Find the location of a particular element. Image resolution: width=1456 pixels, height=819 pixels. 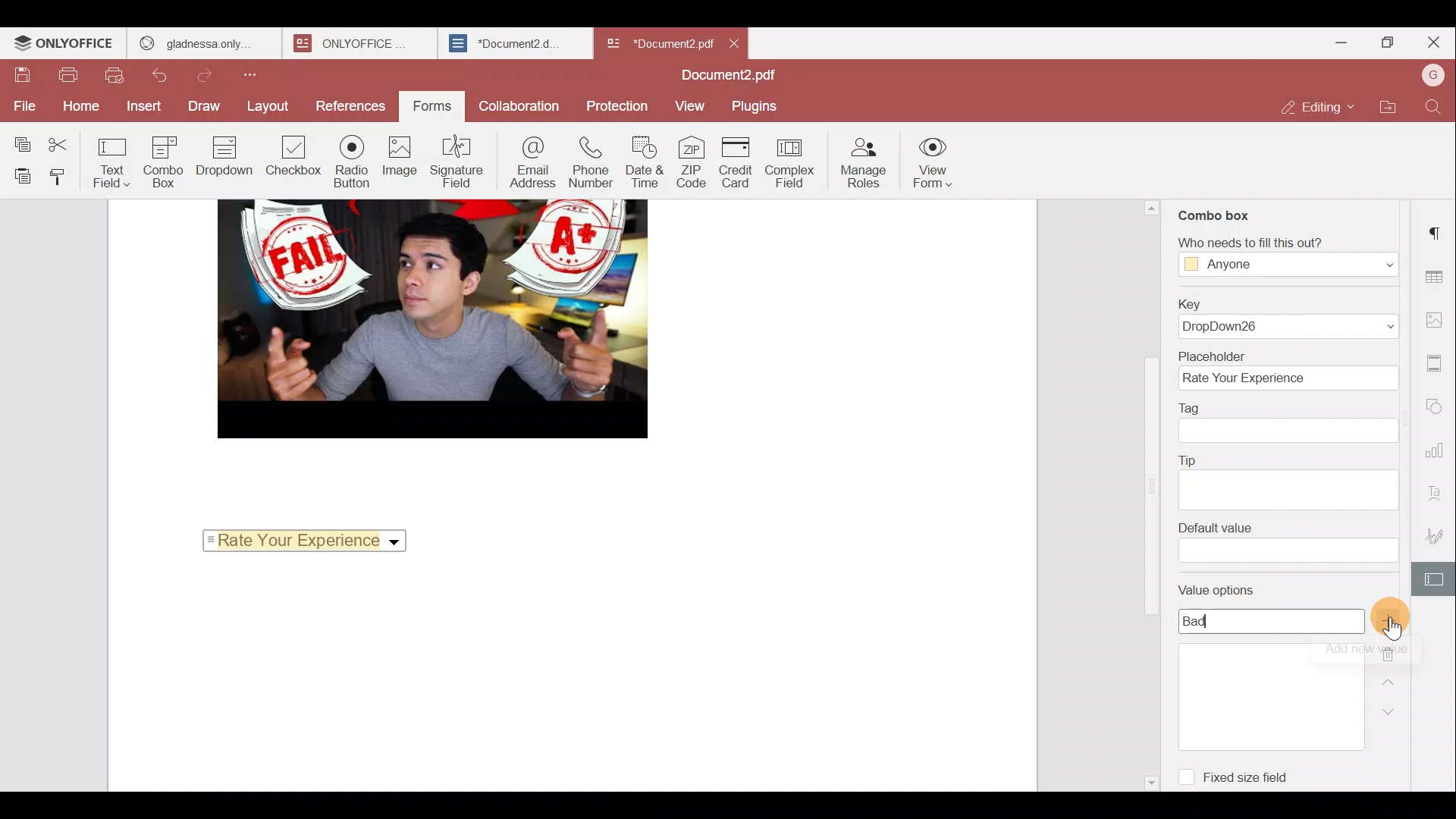

Copy style is located at coordinates (65, 177).